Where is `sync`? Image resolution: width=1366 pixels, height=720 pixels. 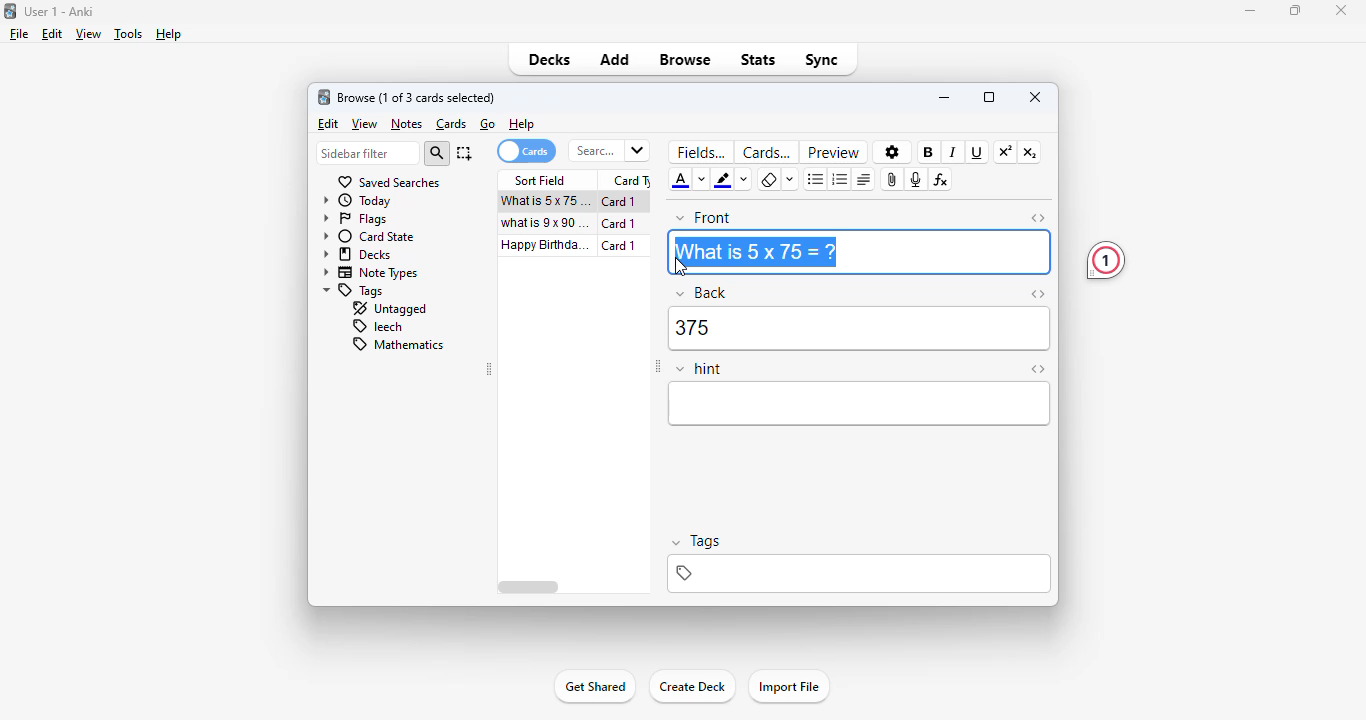
sync is located at coordinates (820, 62).